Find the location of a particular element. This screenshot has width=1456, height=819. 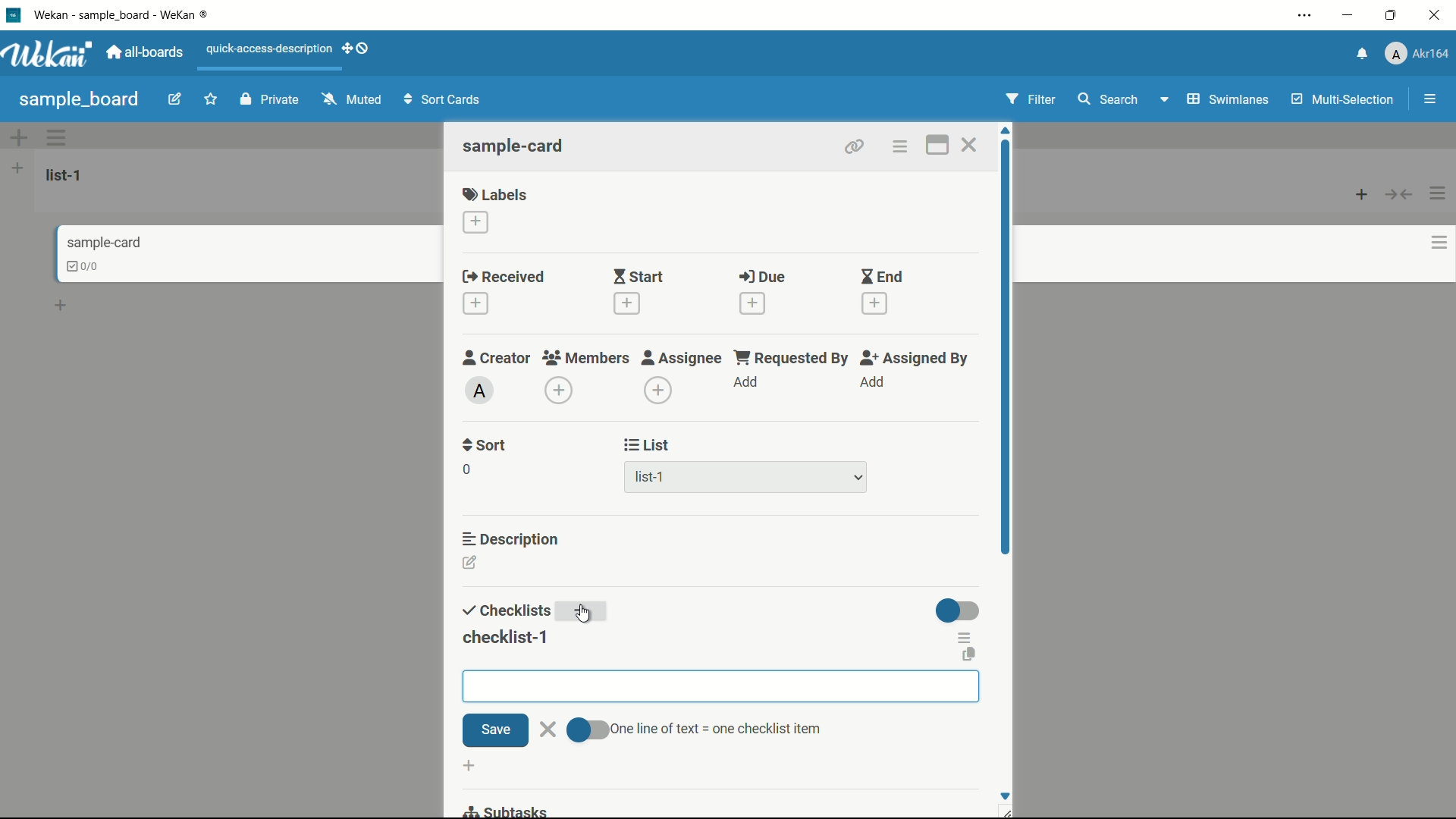

assignee is located at coordinates (682, 358).